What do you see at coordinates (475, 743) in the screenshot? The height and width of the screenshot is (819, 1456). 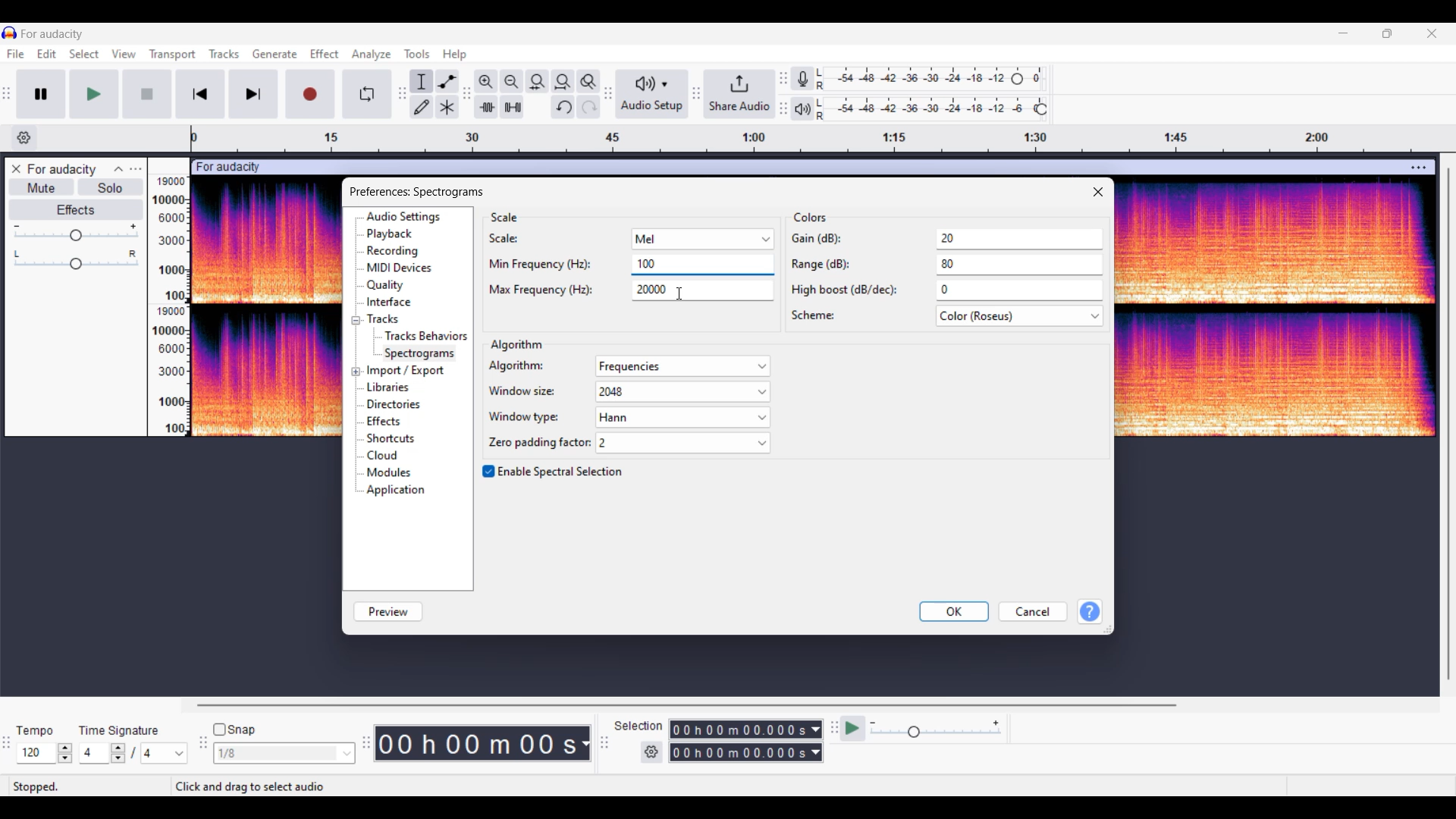 I see `Current duration of track` at bounding box center [475, 743].